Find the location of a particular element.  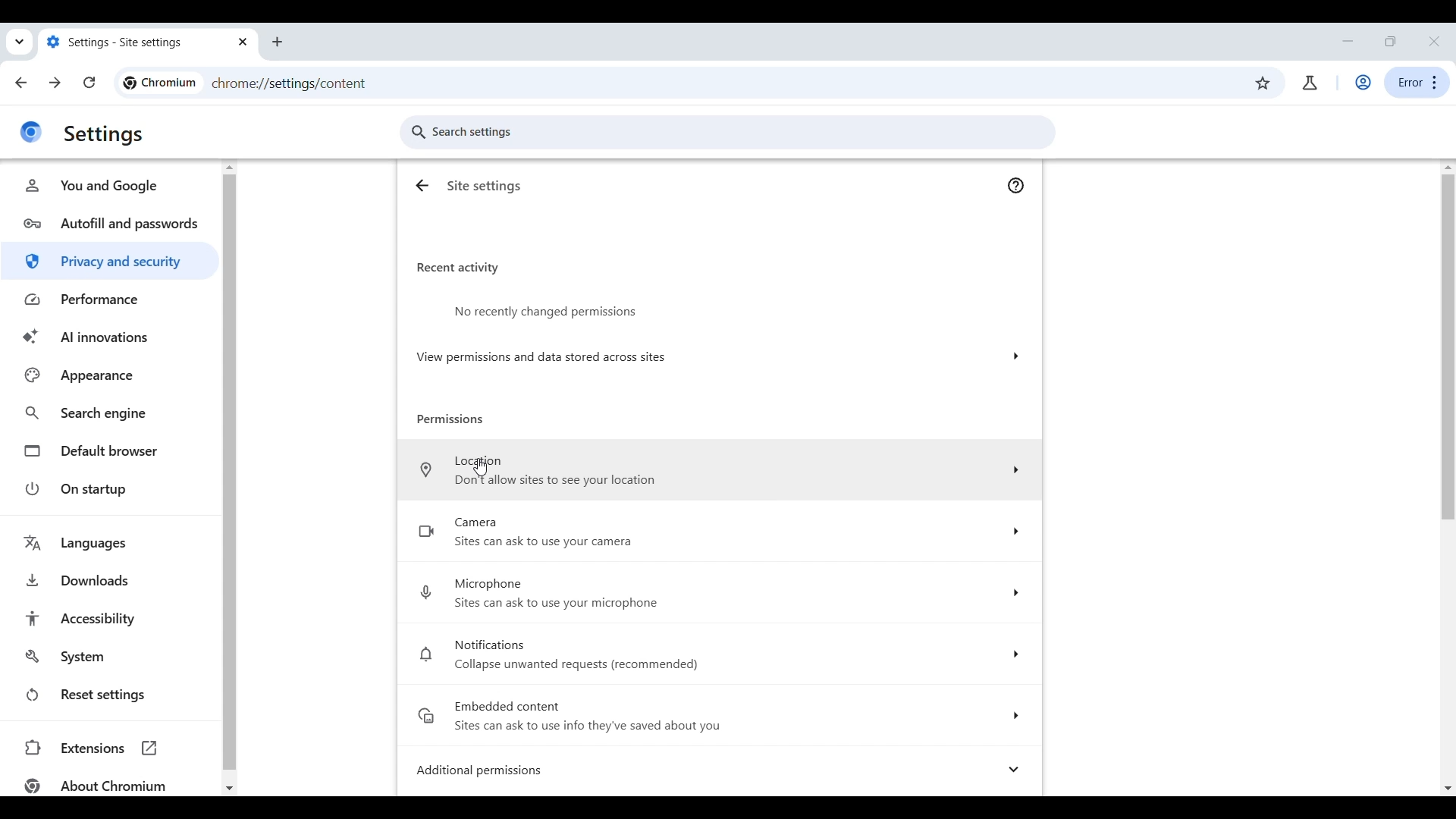

Reload page is located at coordinates (89, 82).